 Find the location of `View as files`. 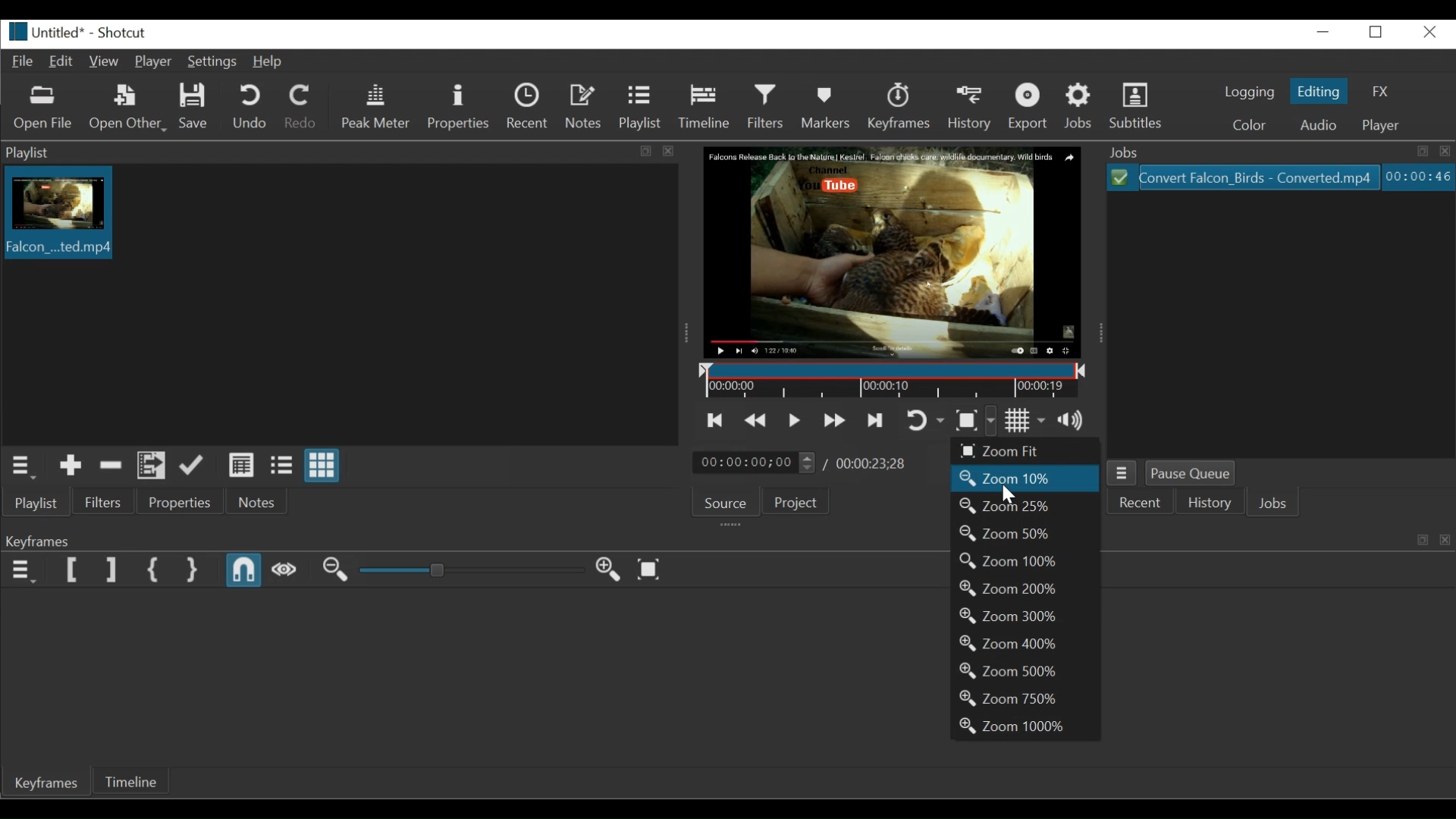

View as files is located at coordinates (281, 465).